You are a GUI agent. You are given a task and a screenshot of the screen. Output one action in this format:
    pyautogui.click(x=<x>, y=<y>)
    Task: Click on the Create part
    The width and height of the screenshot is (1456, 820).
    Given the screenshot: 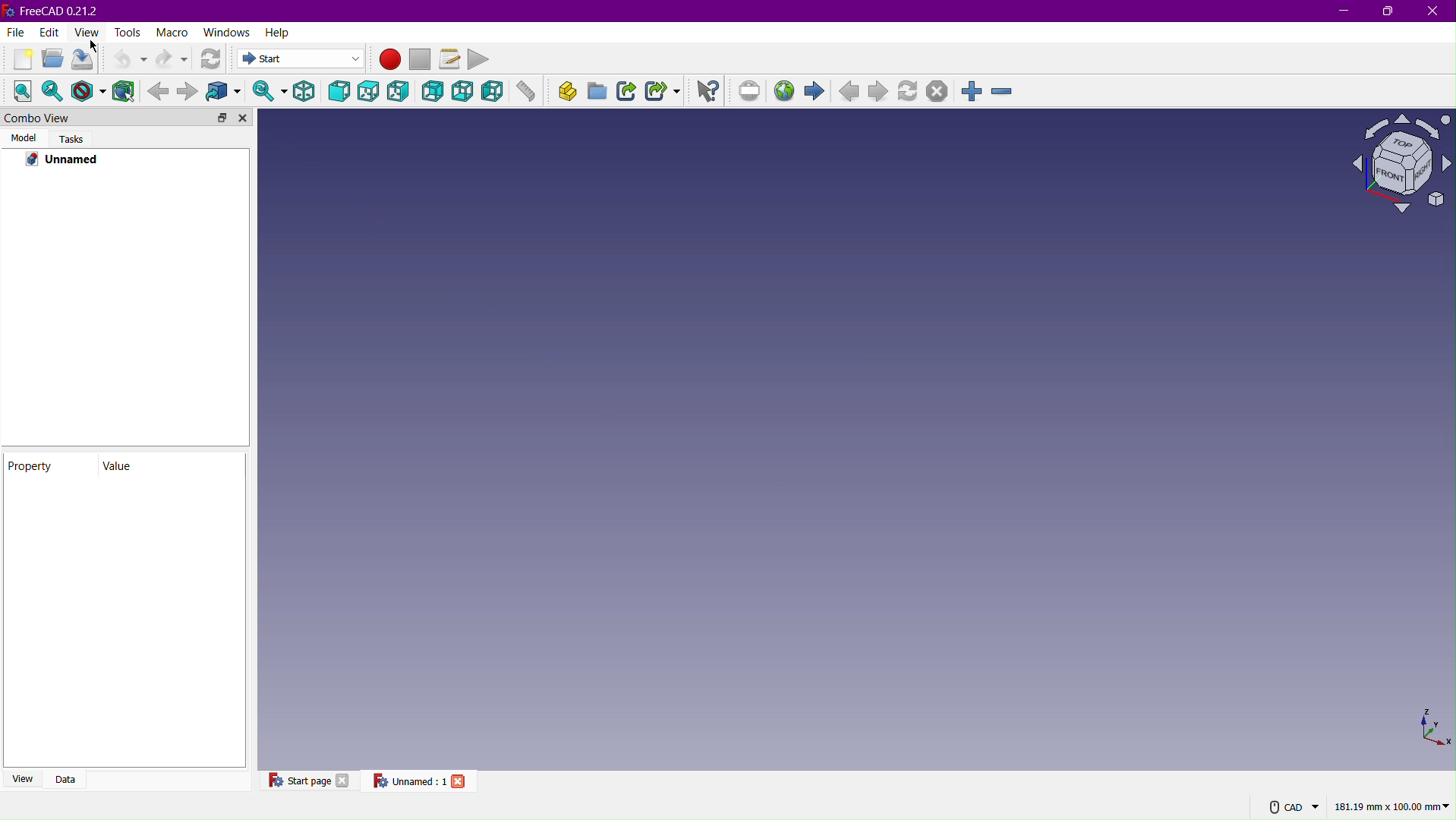 What is the action you would take?
    pyautogui.click(x=566, y=93)
    